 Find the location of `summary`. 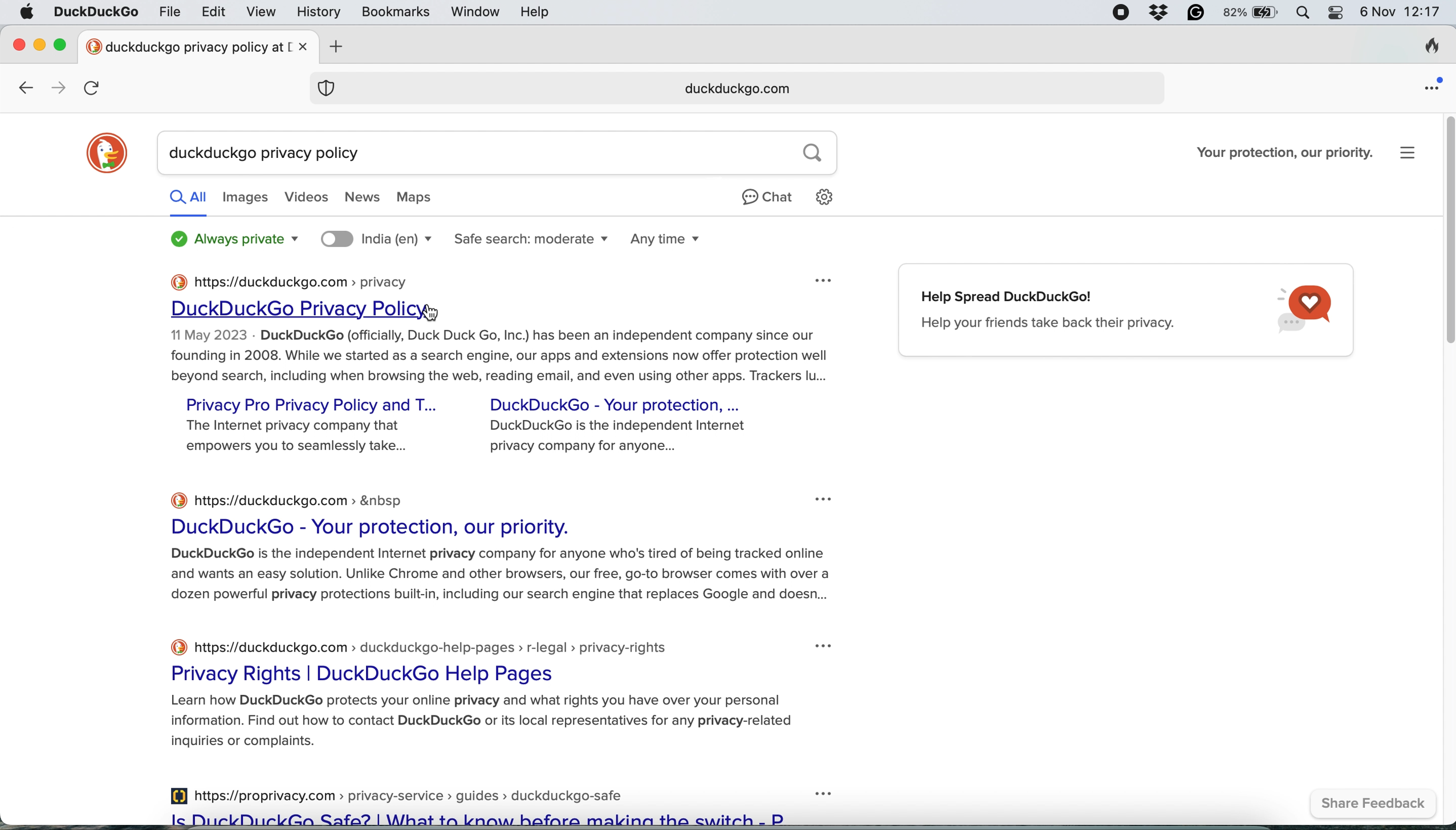

summary is located at coordinates (511, 353).